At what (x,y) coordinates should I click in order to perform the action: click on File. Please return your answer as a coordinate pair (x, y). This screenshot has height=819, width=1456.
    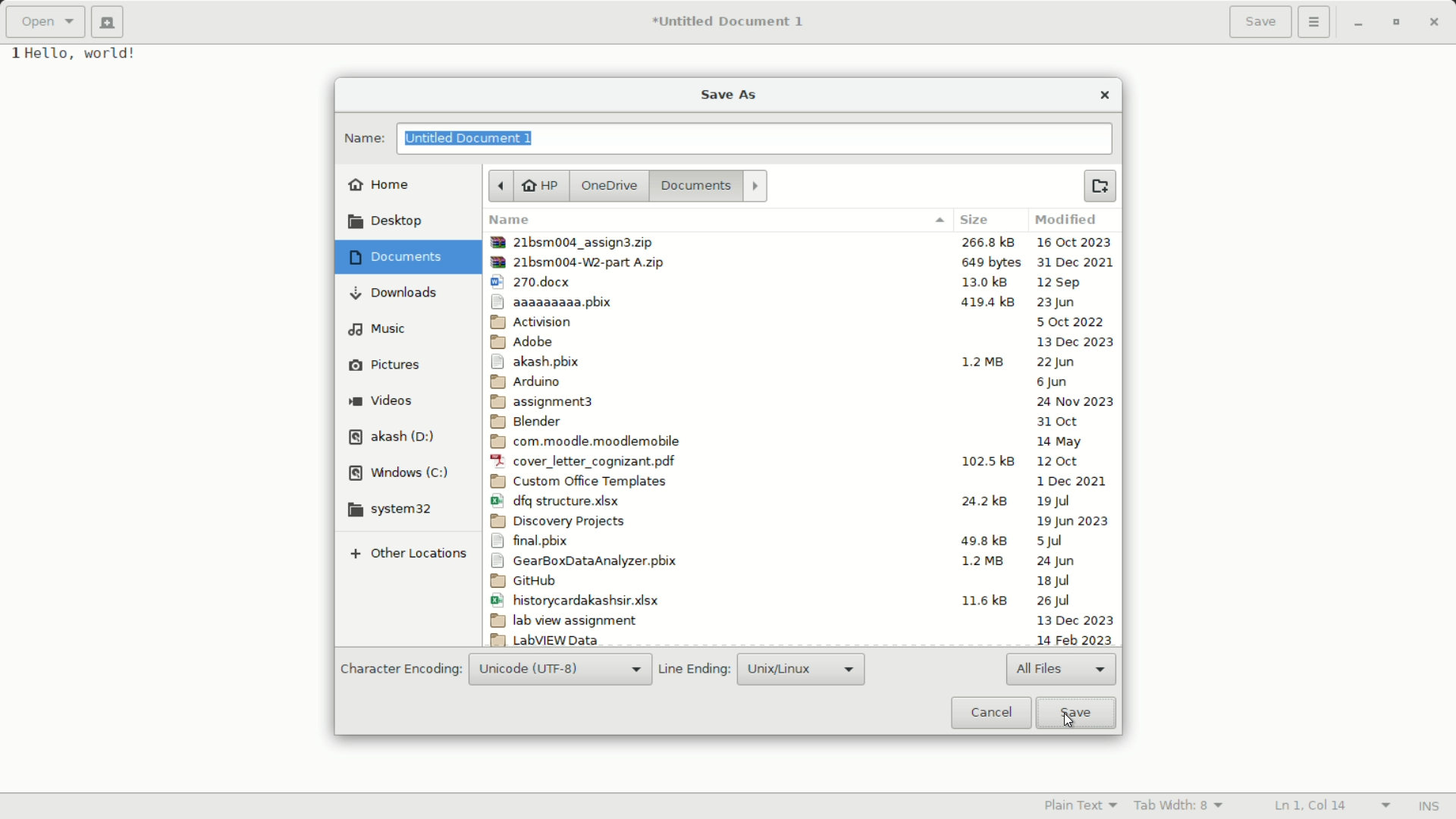
    Looking at the image, I should click on (798, 541).